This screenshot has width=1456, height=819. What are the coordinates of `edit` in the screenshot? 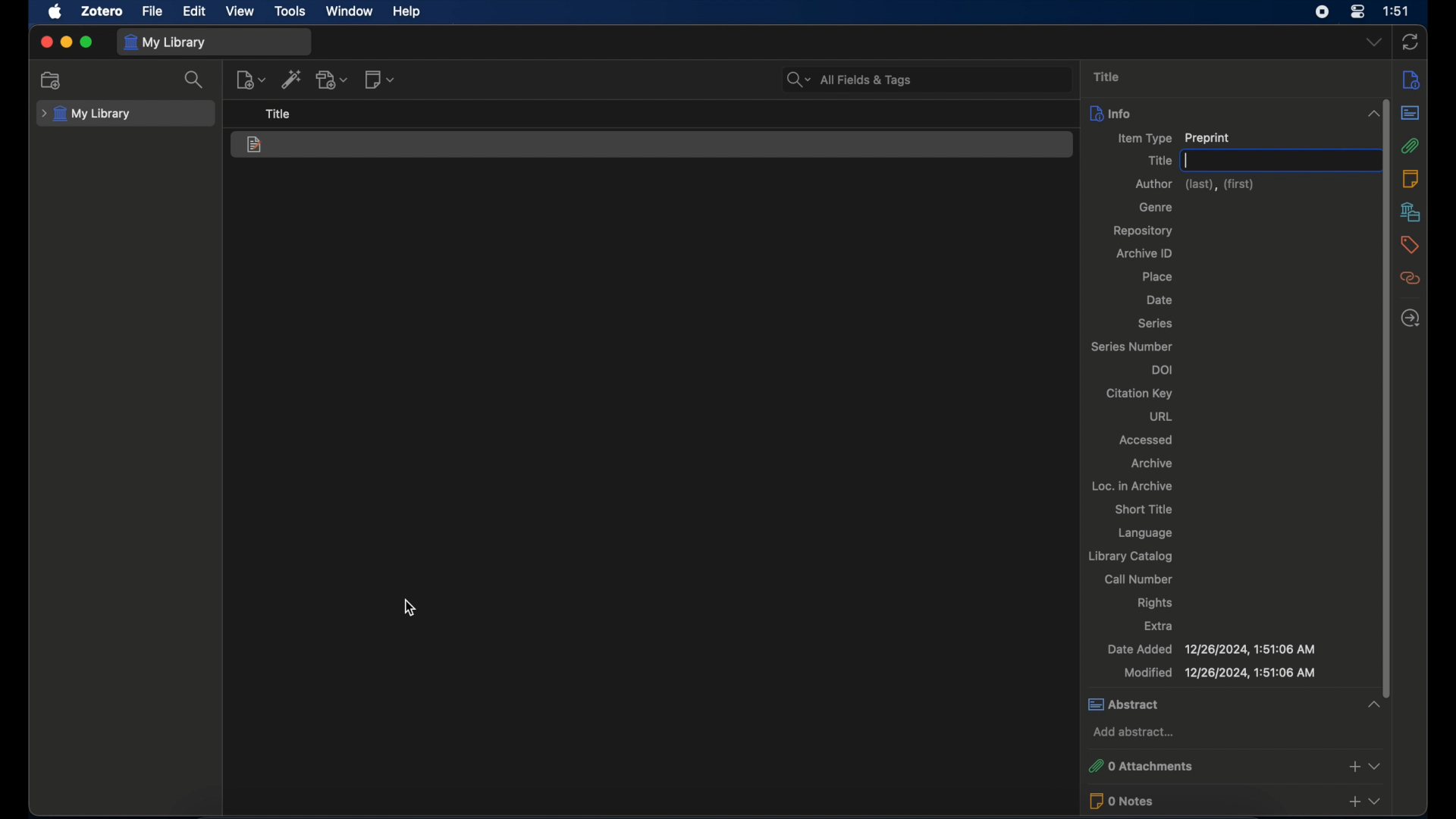 It's located at (196, 12).